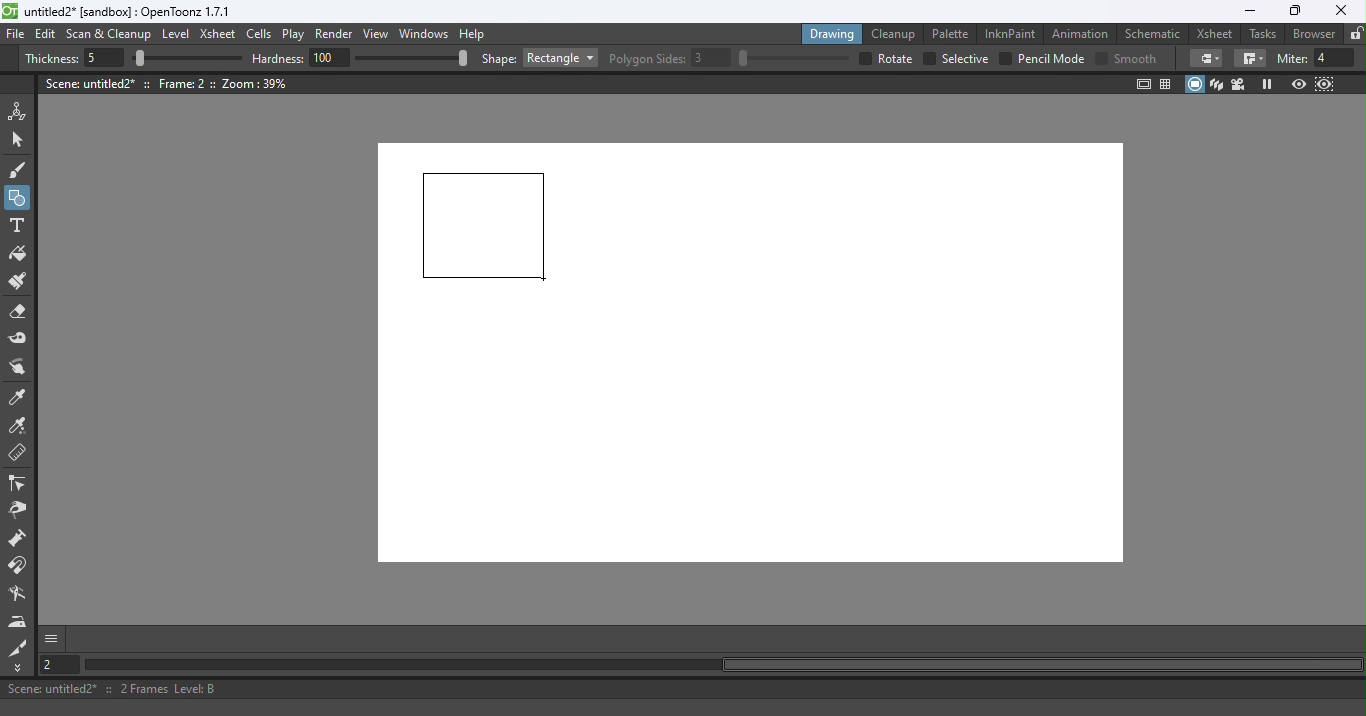 This screenshot has width=1366, height=716. What do you see at coordinates (17, 227) in the screenshot?
I see `Type tool` at bounding box center [17, 227].